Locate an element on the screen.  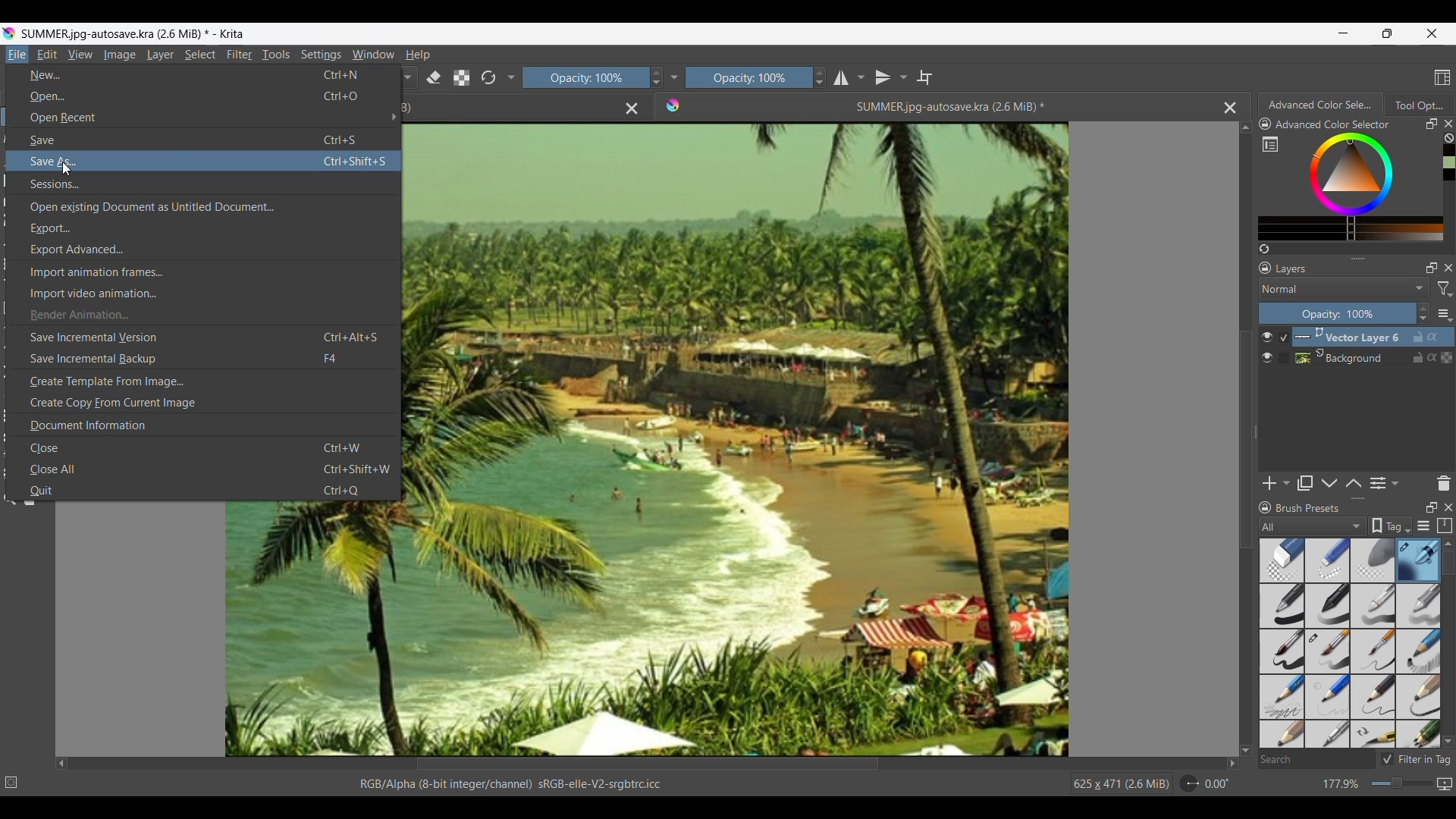
Settings is located at coordinates (321, 54).